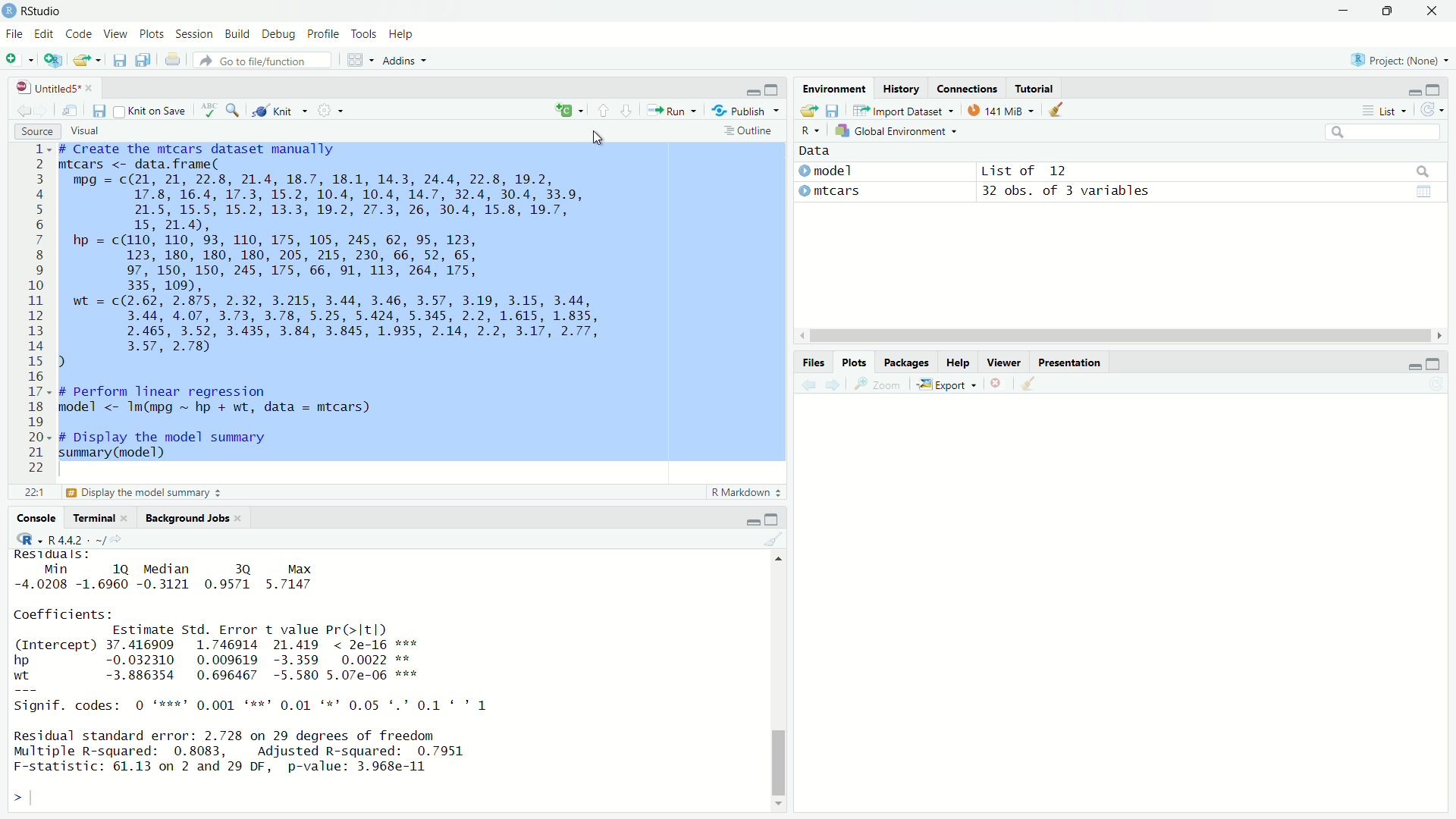 This screenshot has height=819, width=1456. I want to click on Help, so click(958, 363).